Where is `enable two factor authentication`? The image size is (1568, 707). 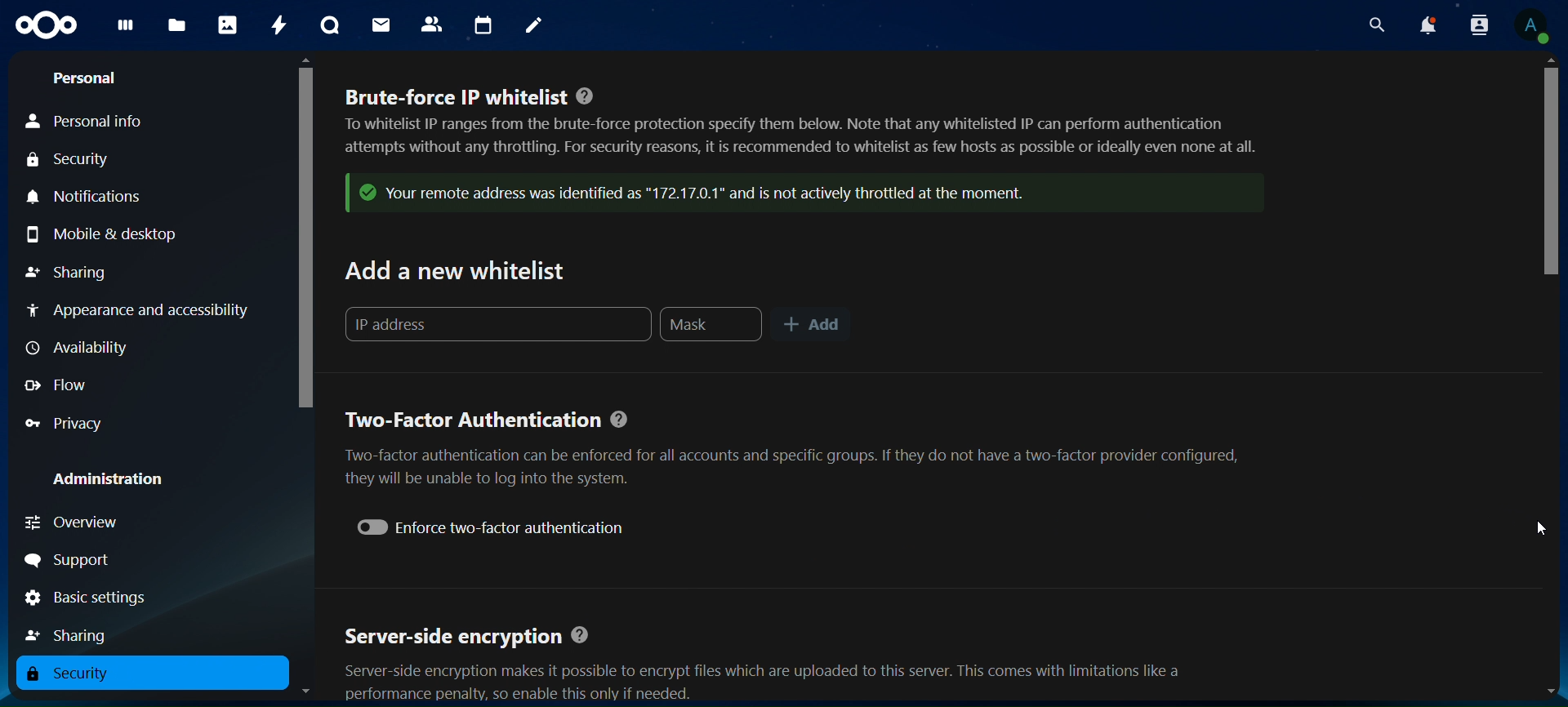
enable two factor authentication is located at coordinates (499, 527).